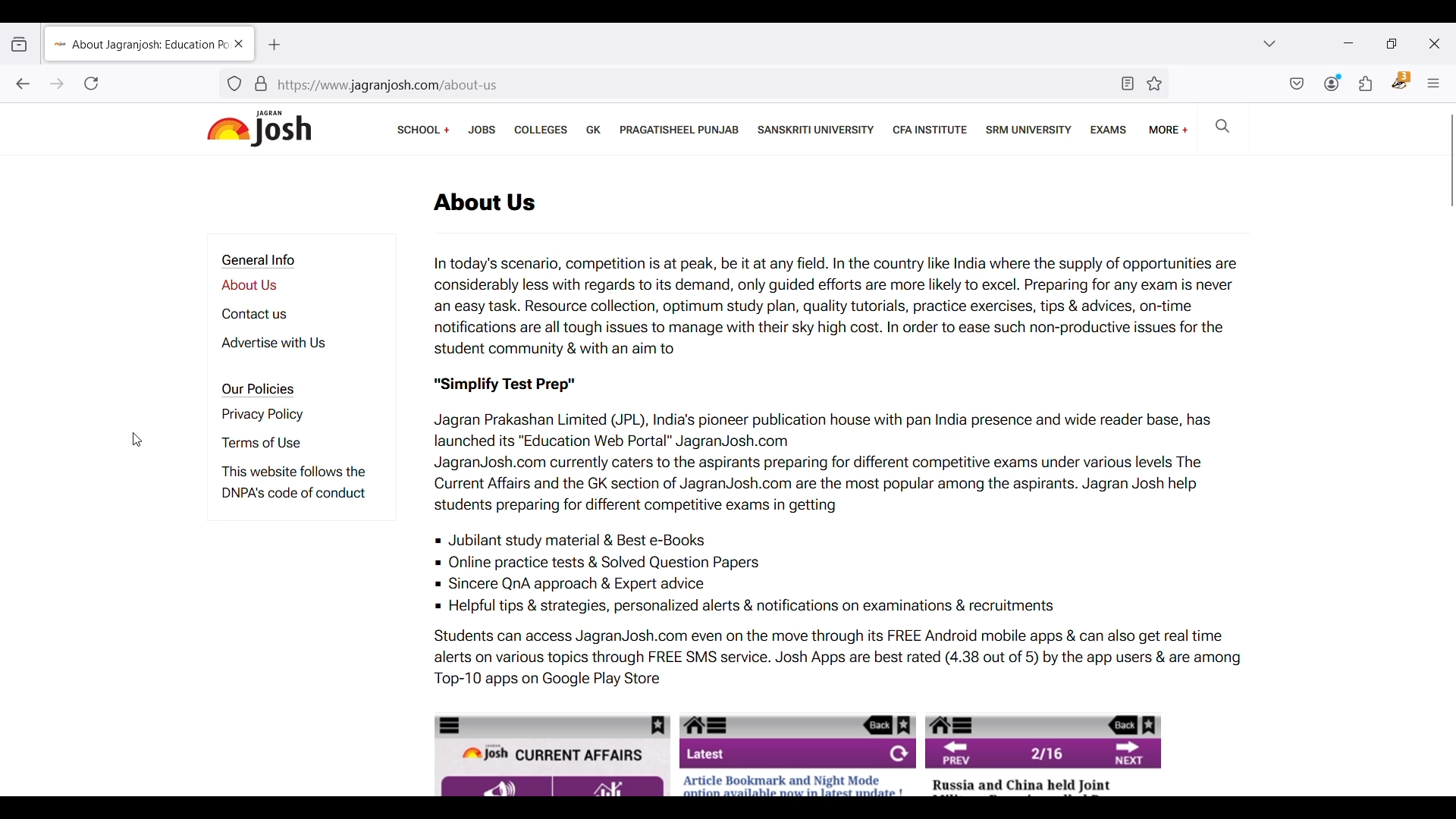  Describe the element at coordinates (484, 128) in the screenshot. I see `Jobs page` at that location.